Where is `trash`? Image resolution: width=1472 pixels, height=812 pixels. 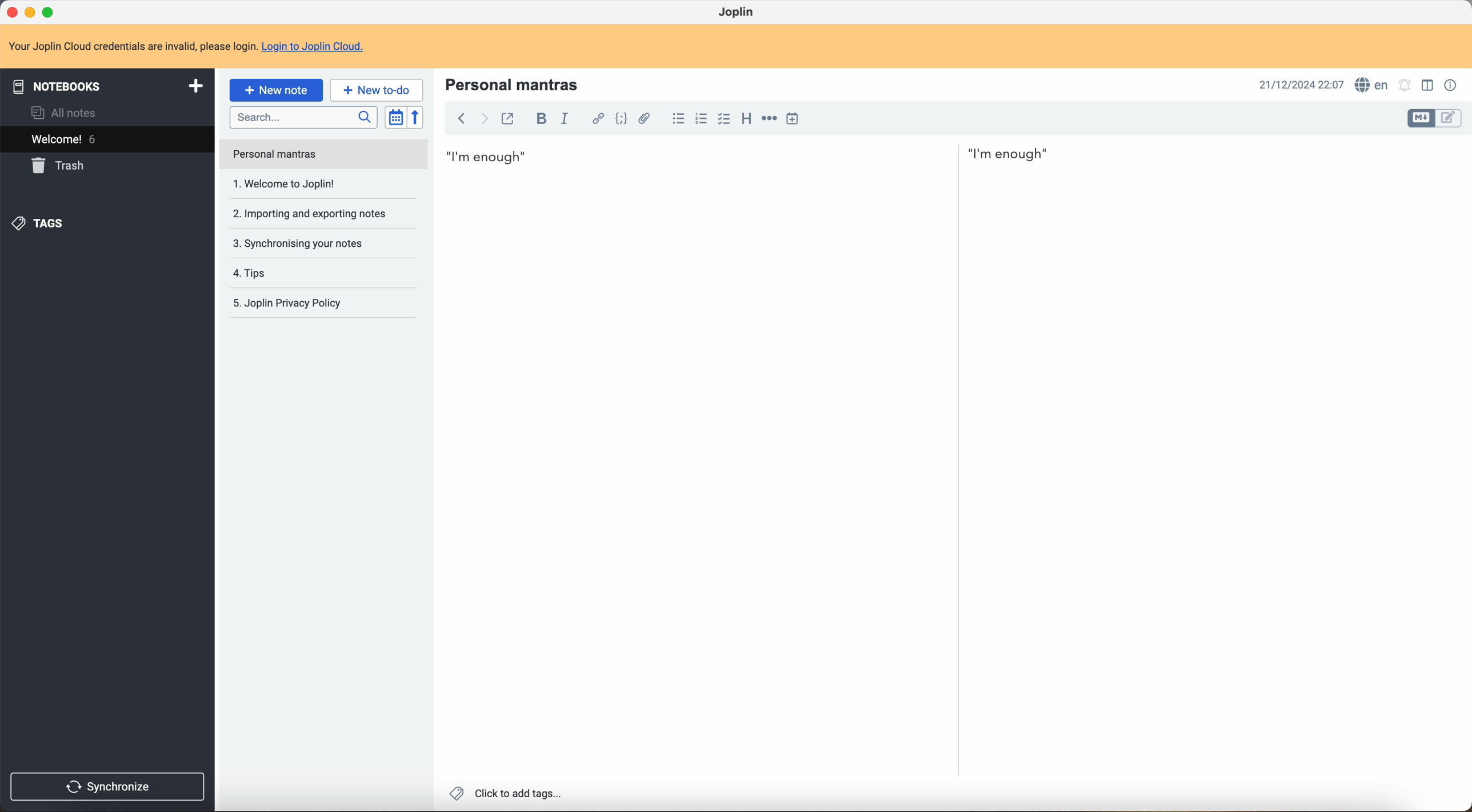 trash is located at coordinates (61, 166).